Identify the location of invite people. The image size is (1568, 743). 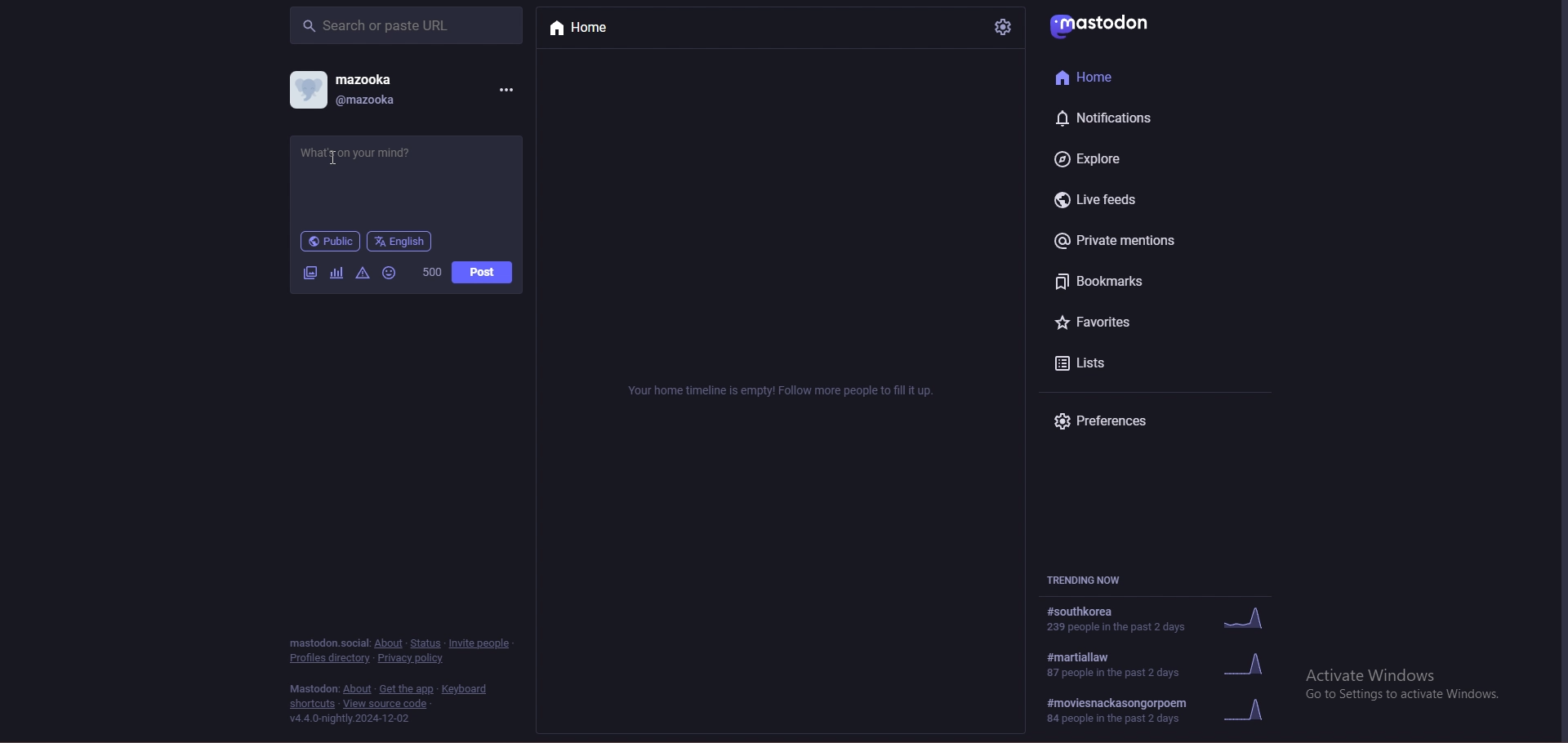
(481, 643).